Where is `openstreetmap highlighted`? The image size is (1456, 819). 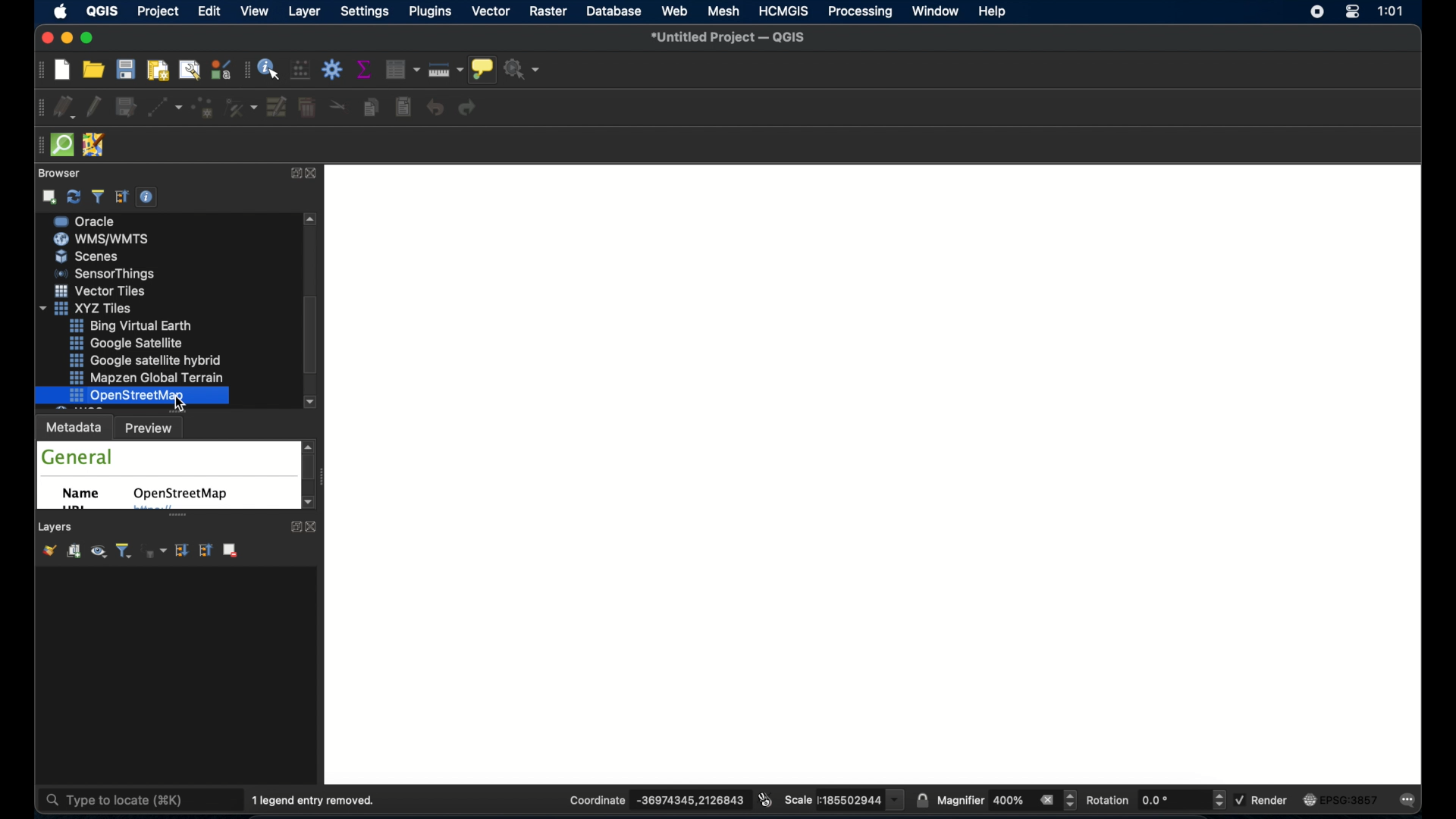
openstreetmap highlighted is located at coordinates (132, 396).